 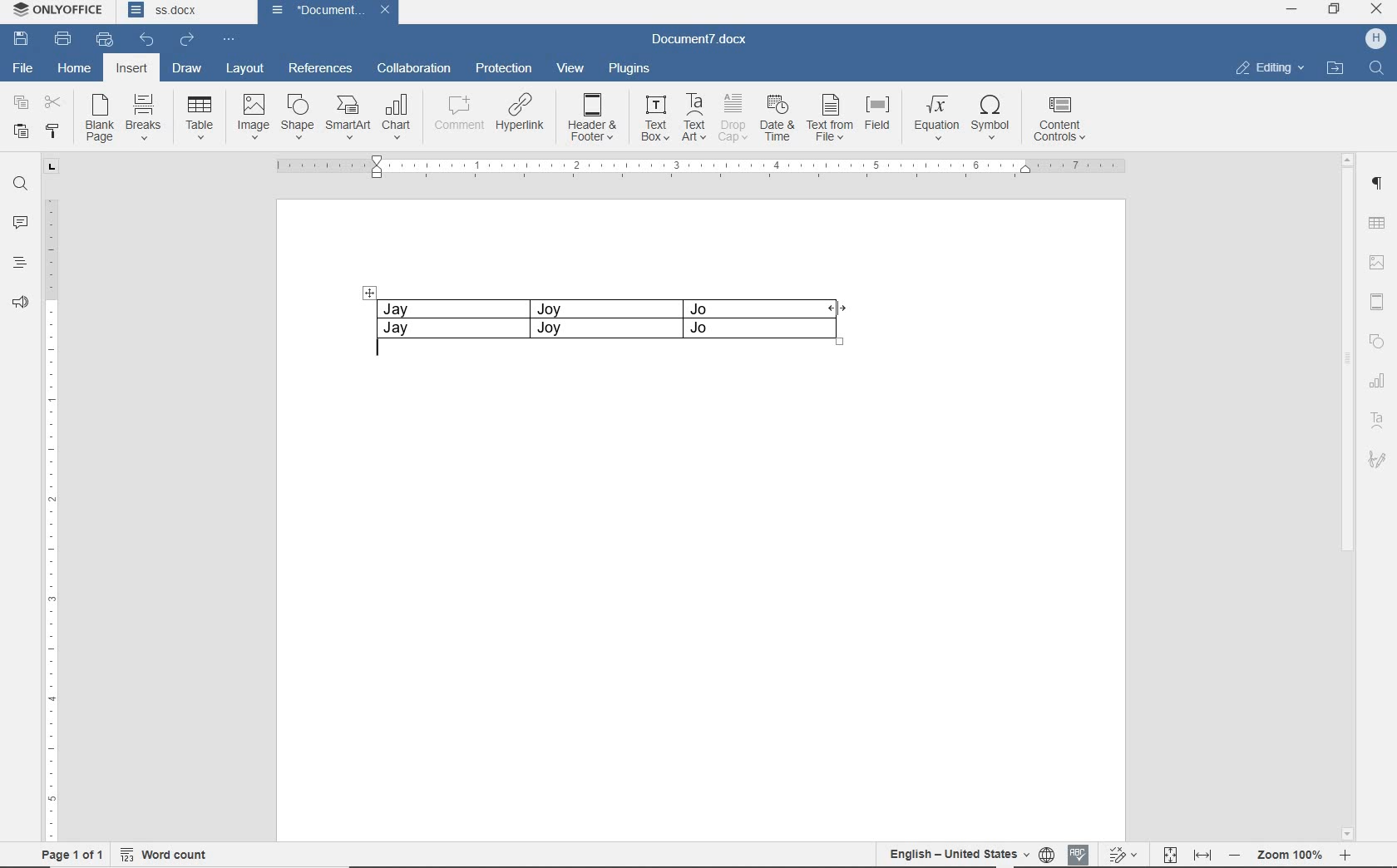 I want to click on TRACK CHANGES, so click(x=1126, y=854).